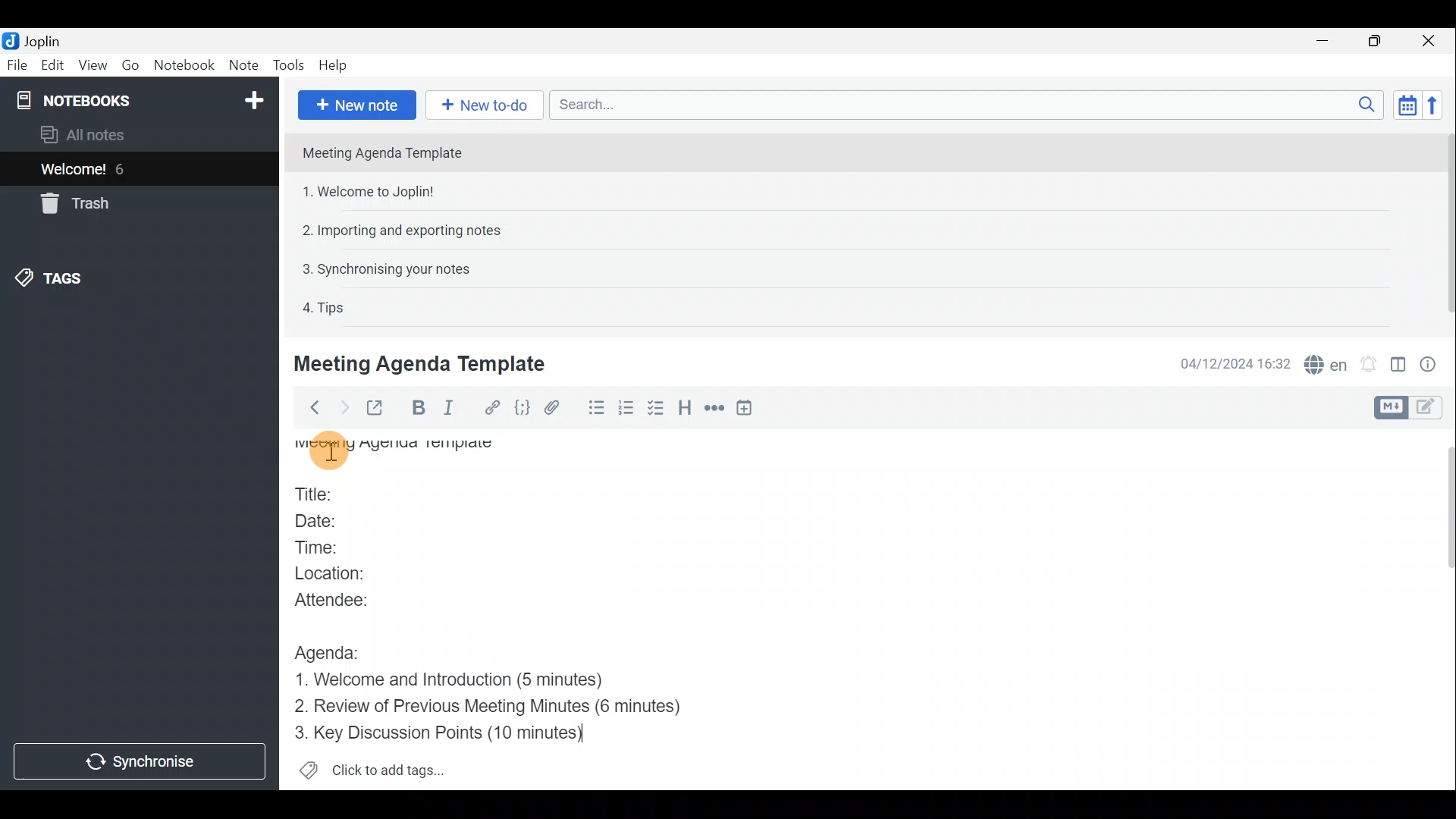  What do you see at coordinates (335, 652) in the screenshot?
I see `Agenda:` at bounding box center [335, 652].